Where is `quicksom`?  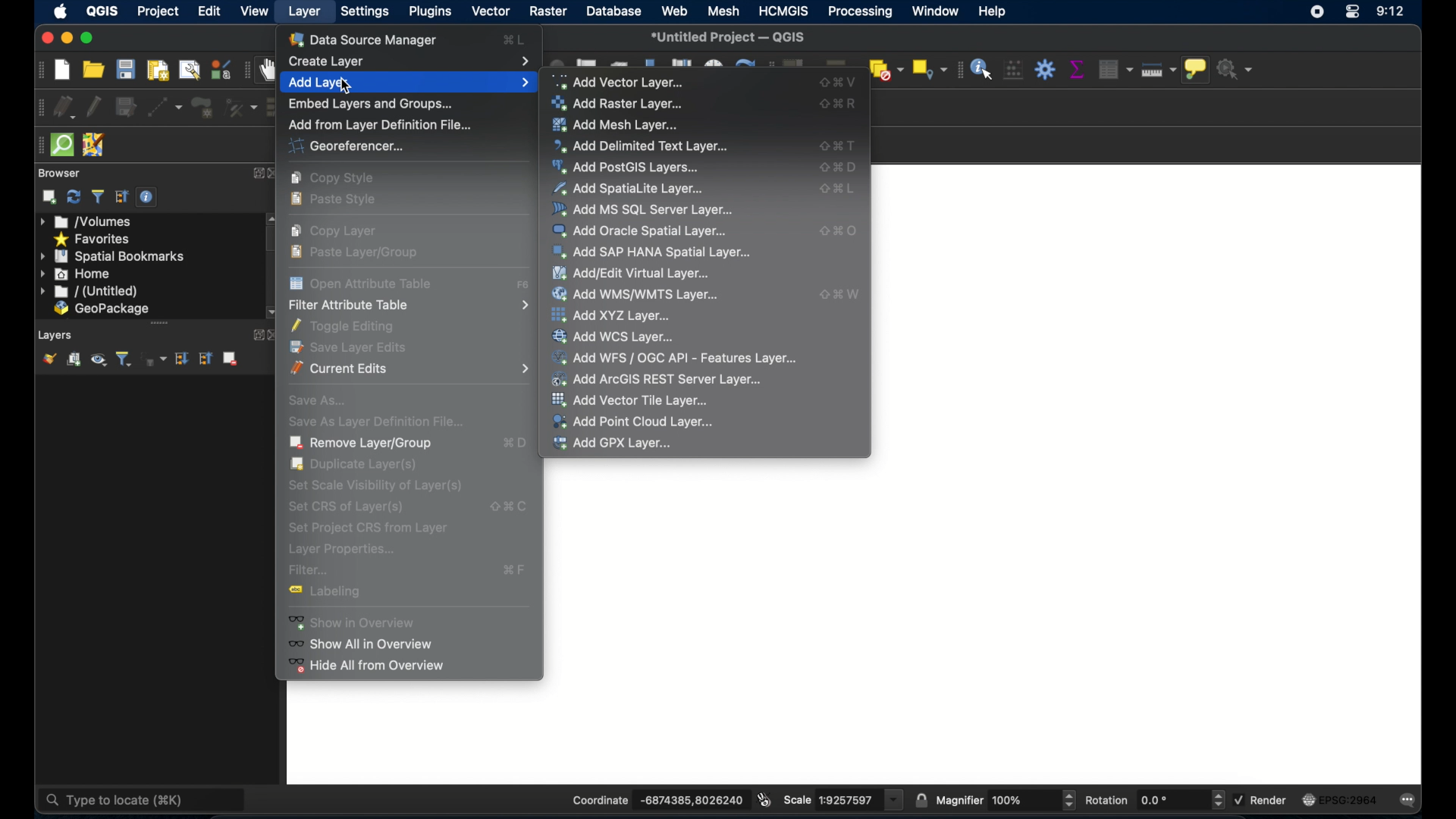 quicksom is located at coordinates (61, 146).